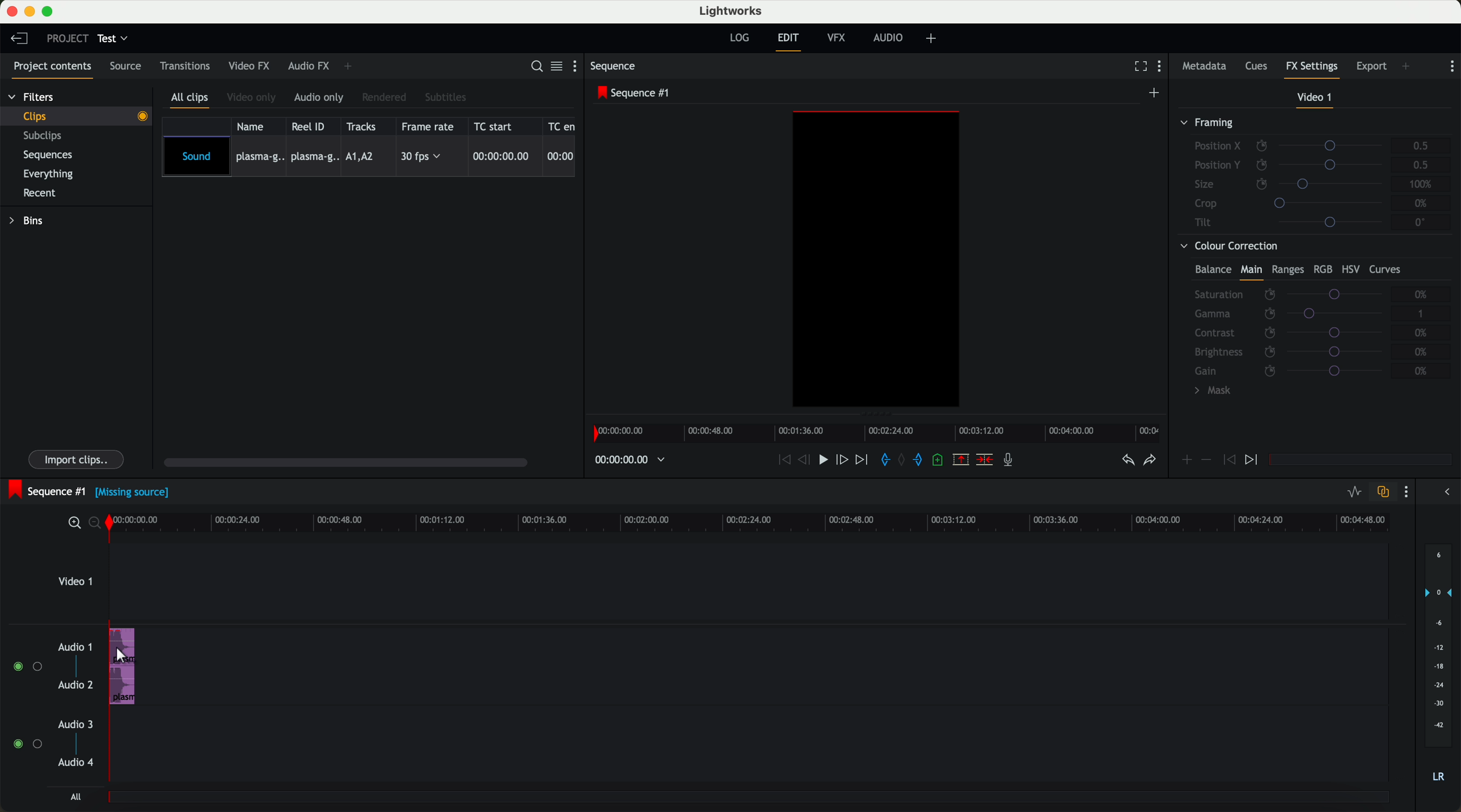 This screenshot has height=812, width=1461. I want to click on minimize, so click(29, 12).